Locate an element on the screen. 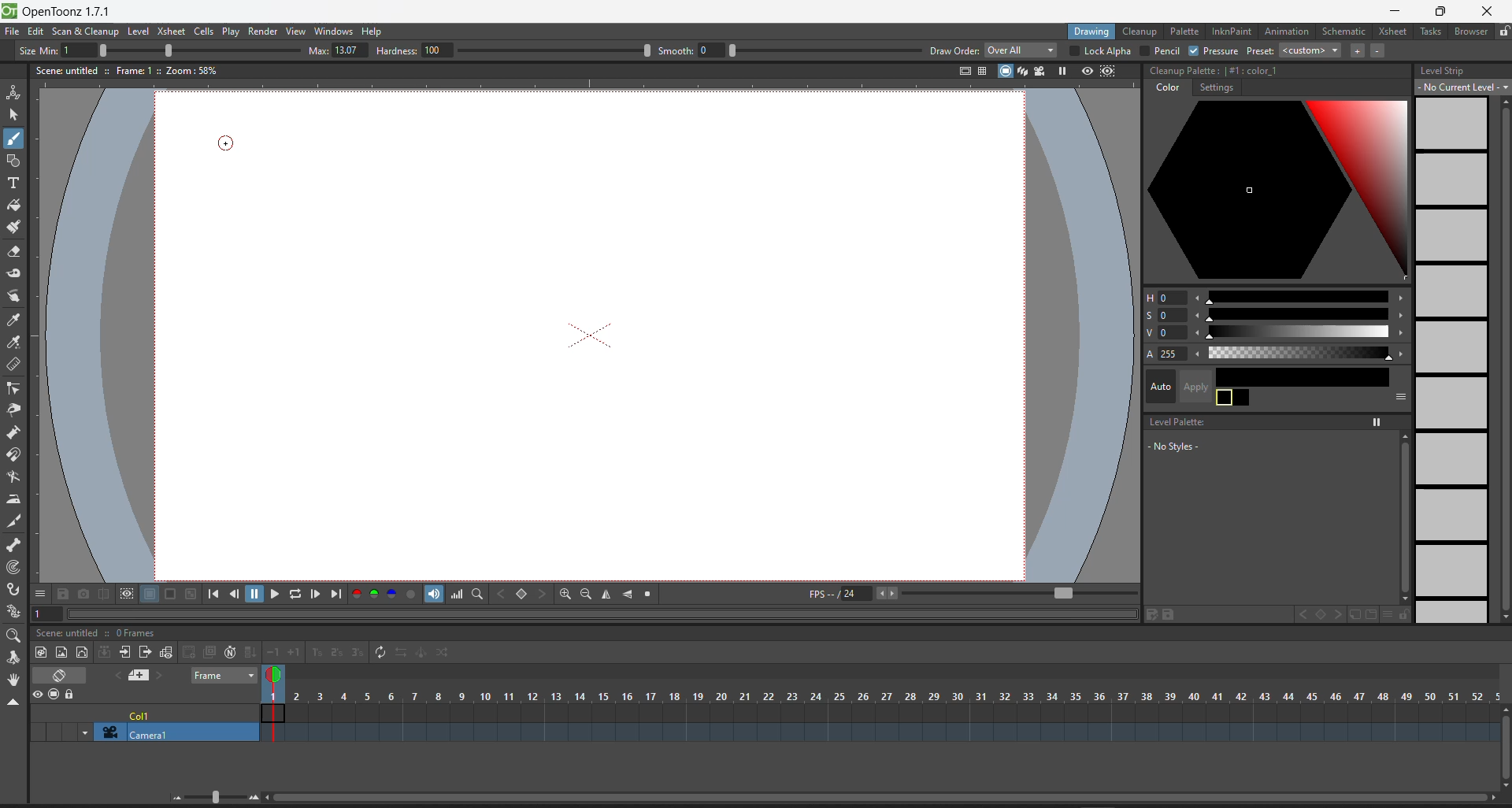 The width and height of the screenshot is (1512, 808). keyframe indicators is located at coordinates (891, 712).